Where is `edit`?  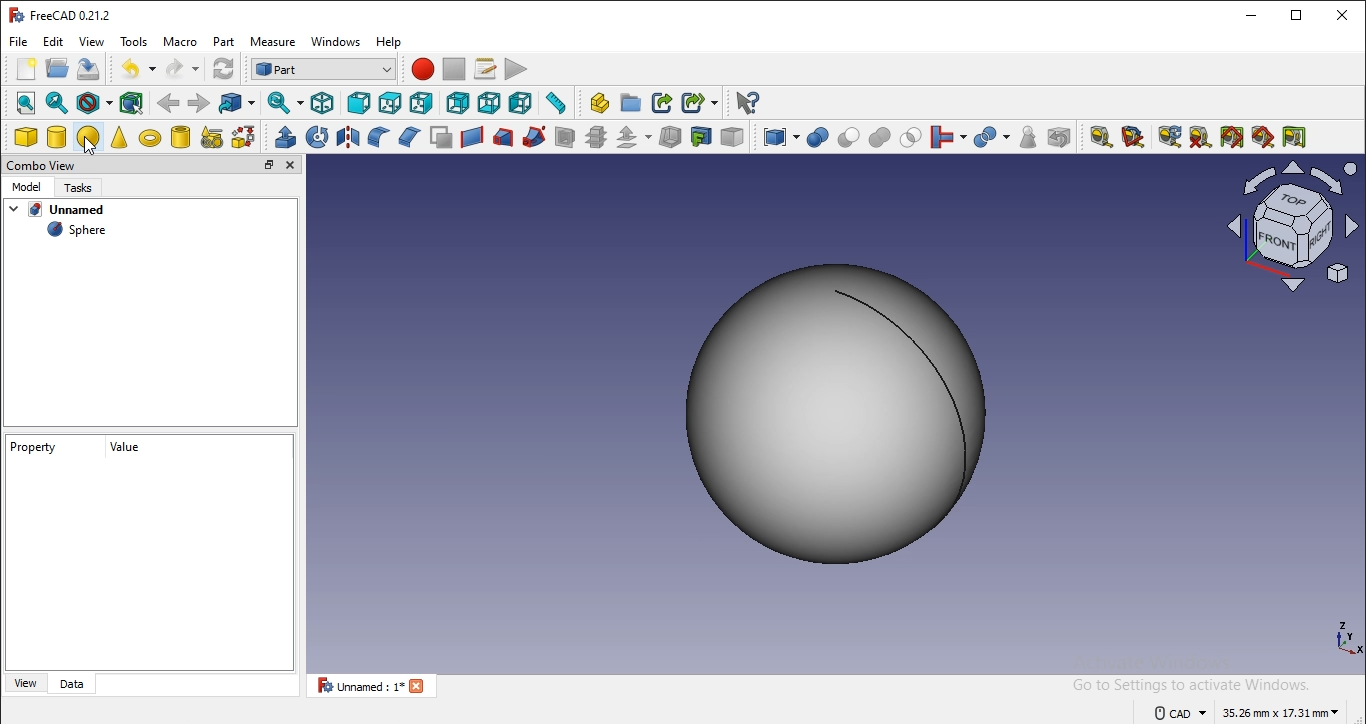
edit is located at coordinates (54, 42).